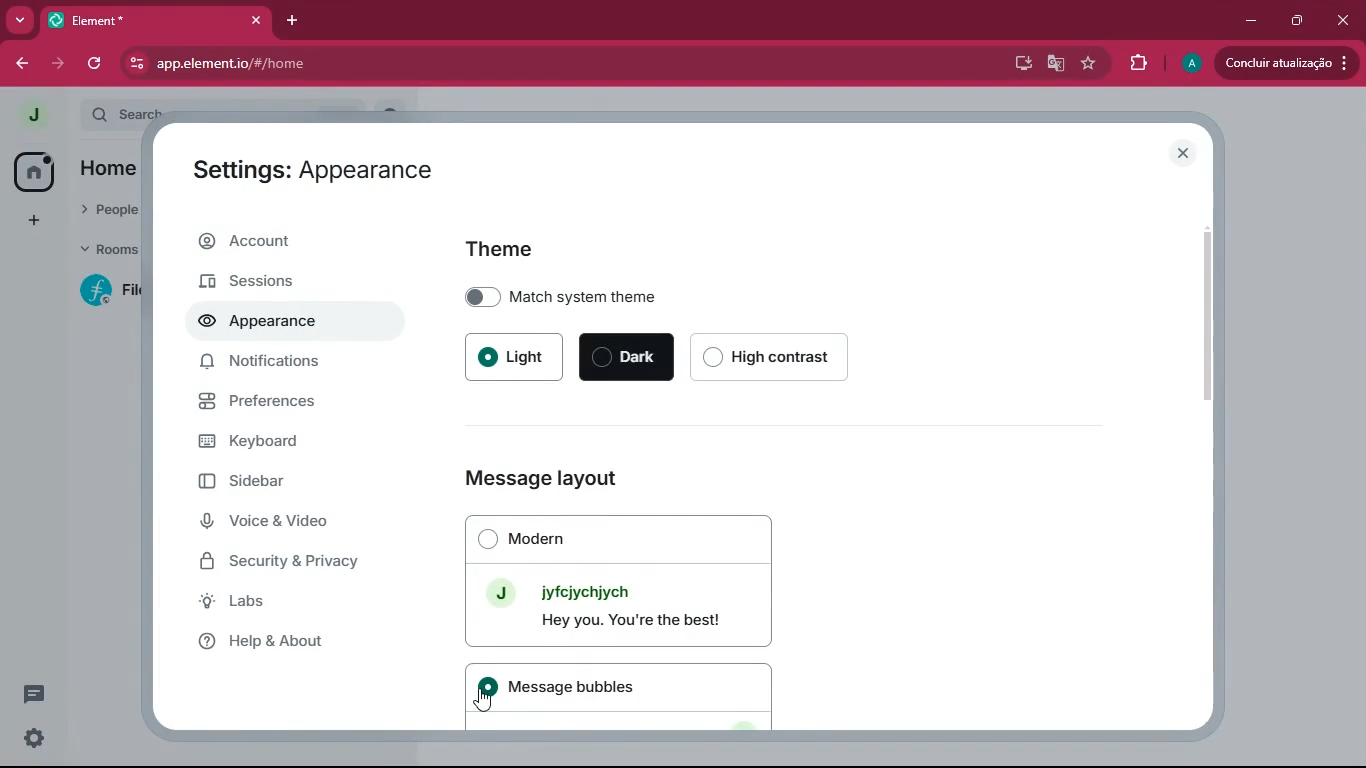 Image resolution: width=1366 pixels, height=768 pixels. What do you see at coordinates (272, 437) in the screenshot?
I see `Keyboard` at bounding box center [272, 437].